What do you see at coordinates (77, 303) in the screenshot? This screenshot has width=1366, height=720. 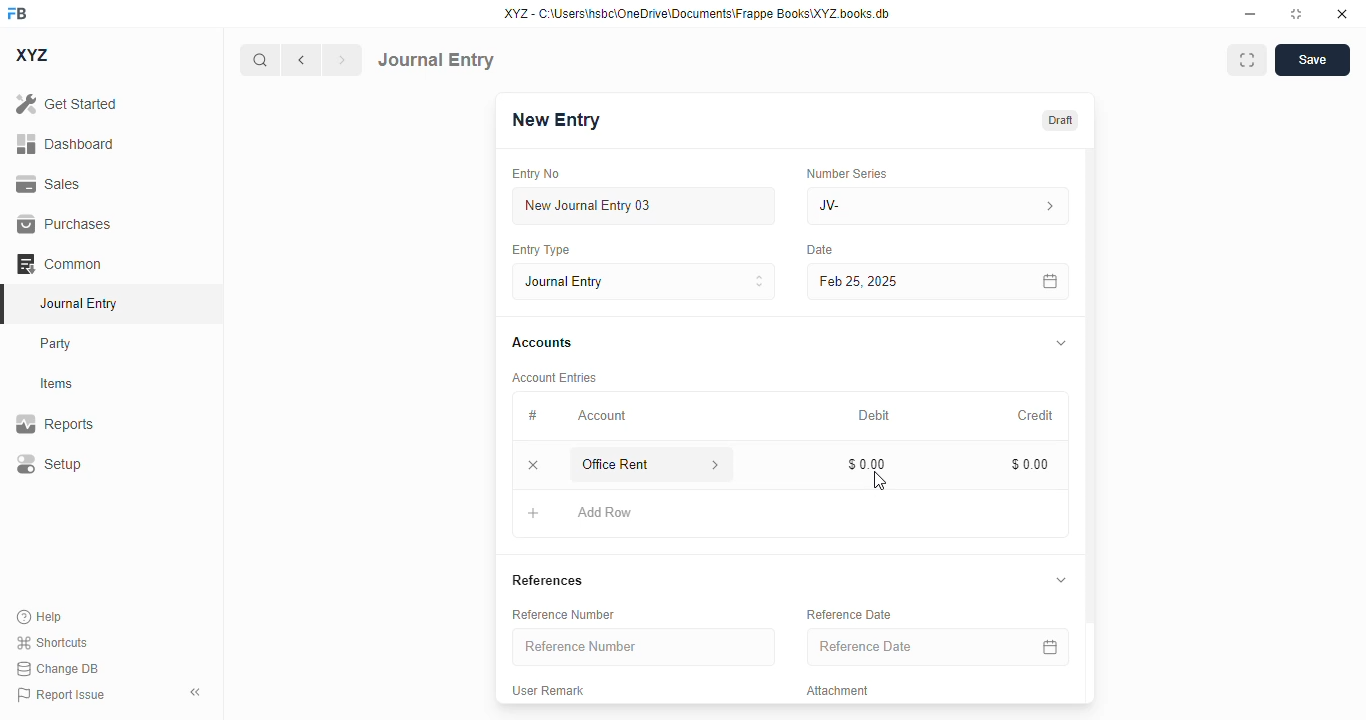 I see `journal entry` at bounding box center [77, 303].